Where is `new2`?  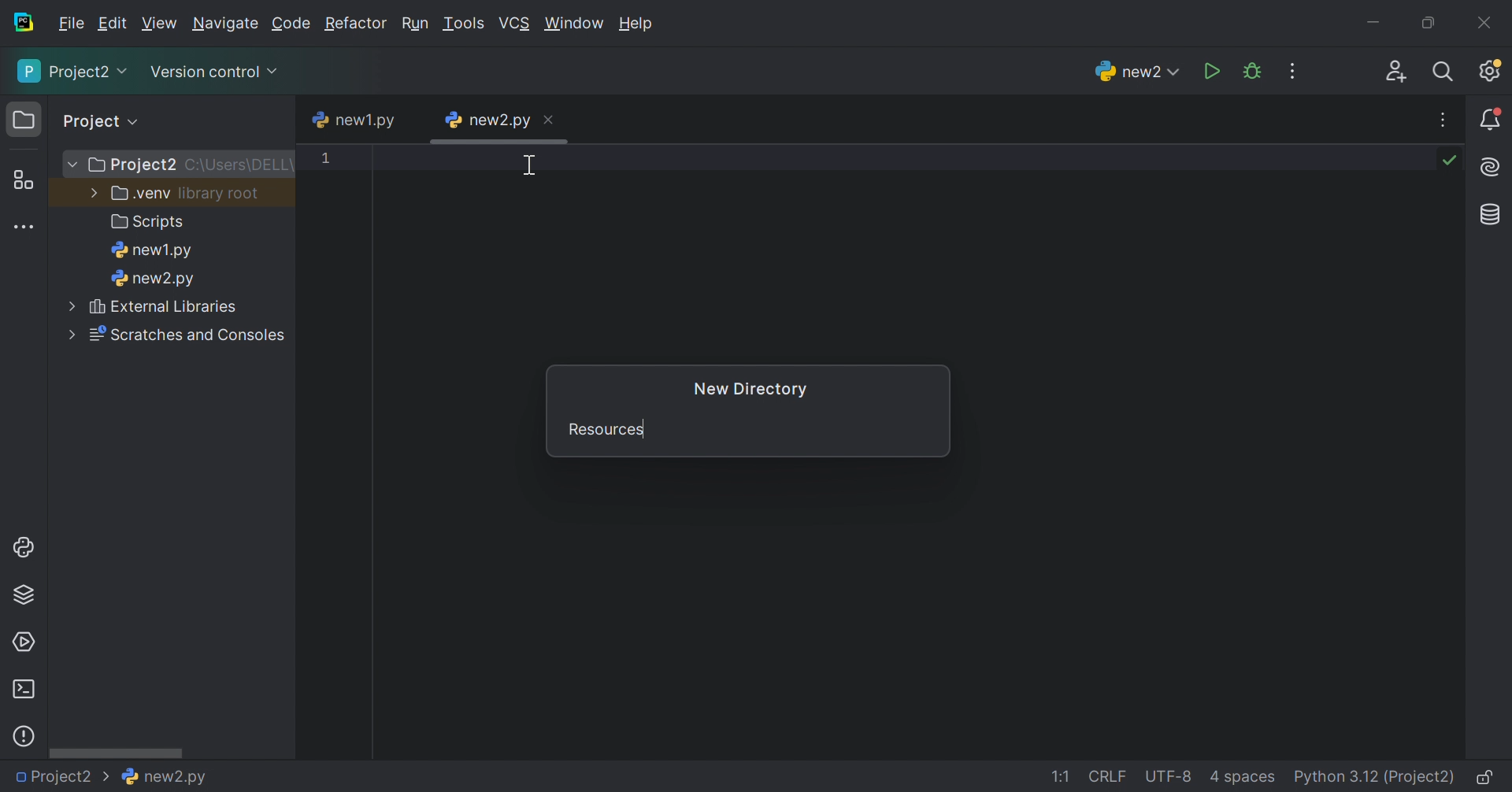 new2 is located at coordinates (1140, 70).